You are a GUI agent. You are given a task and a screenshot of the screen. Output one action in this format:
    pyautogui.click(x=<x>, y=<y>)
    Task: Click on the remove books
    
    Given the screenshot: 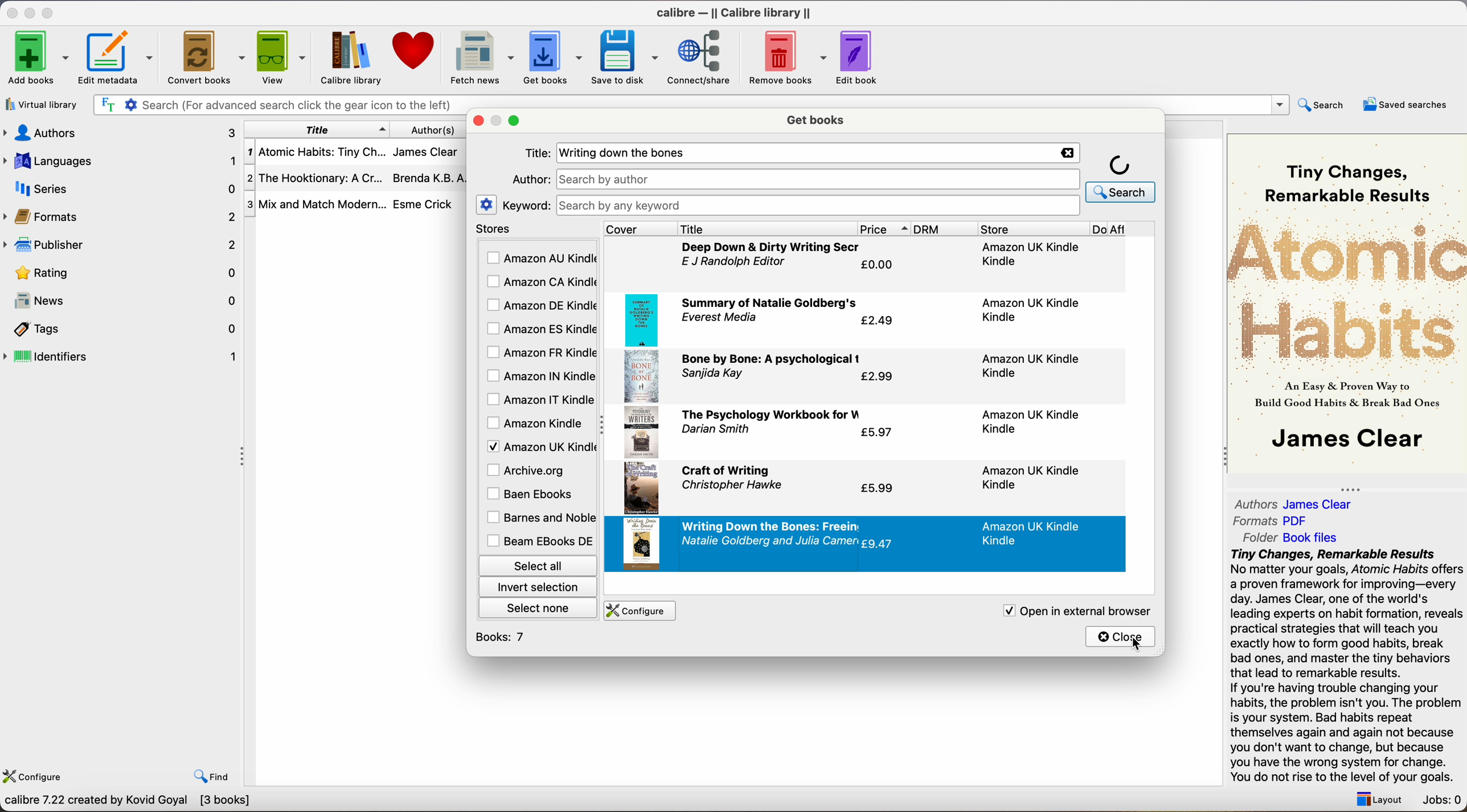 What is the action you would take?
    pyautogui.click(x=788, y=59)
    